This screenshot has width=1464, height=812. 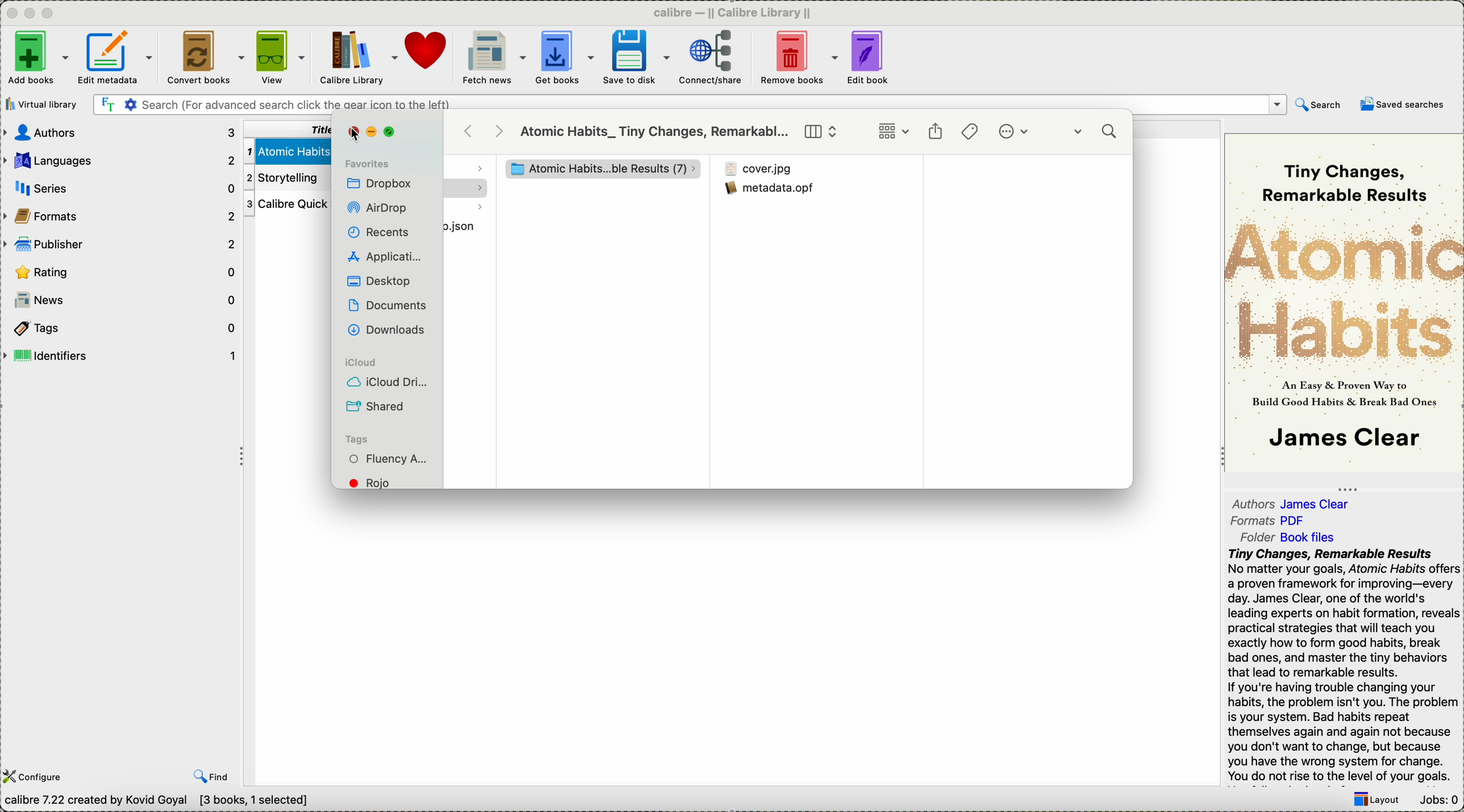 I want to click on edit metadata, so click(x=118, y=60).